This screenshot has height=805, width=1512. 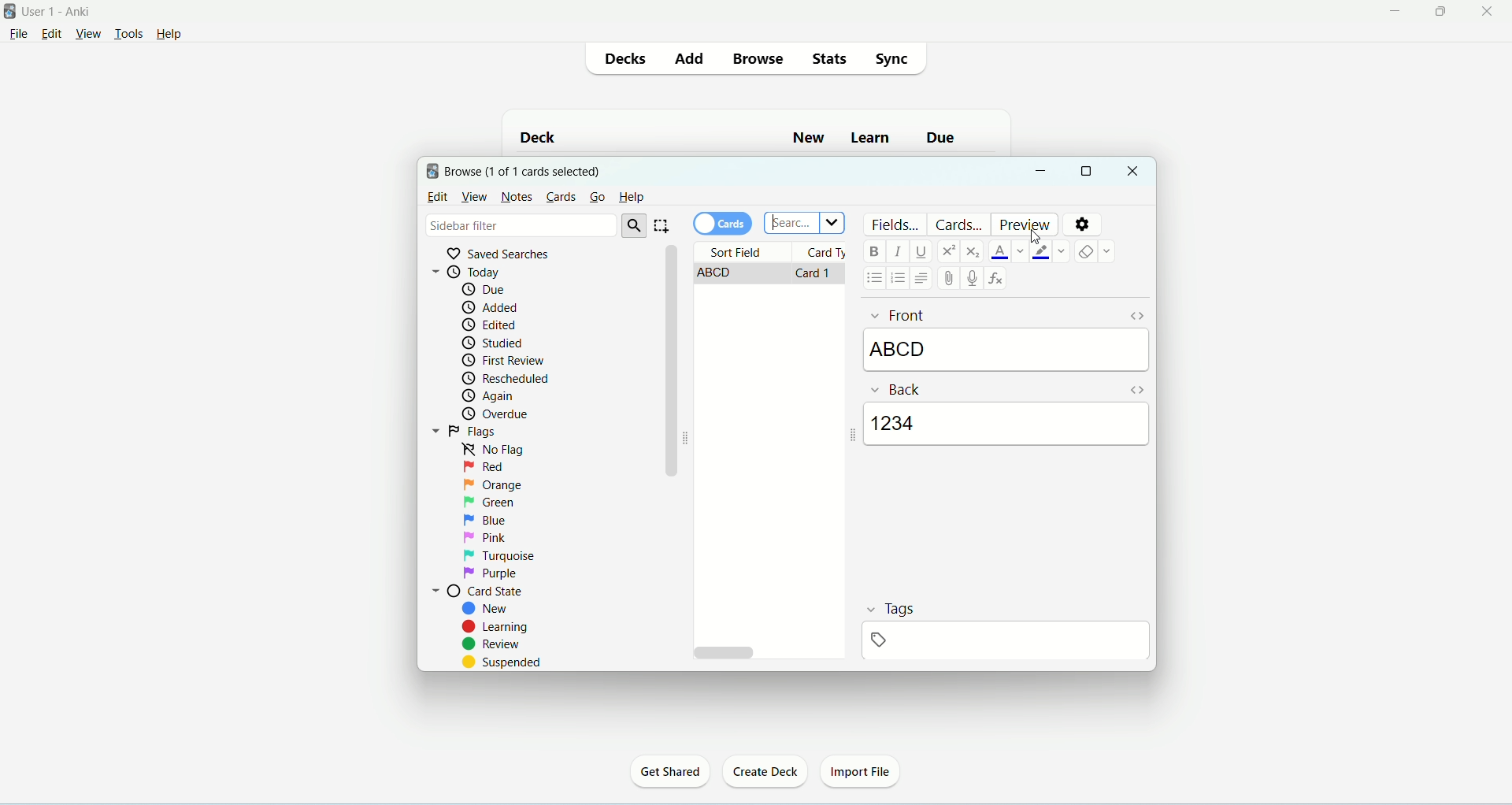 What do you see at coordinates (897, 280) in the screenshot?
I see `ordered list` at bounding box center [897, 280].